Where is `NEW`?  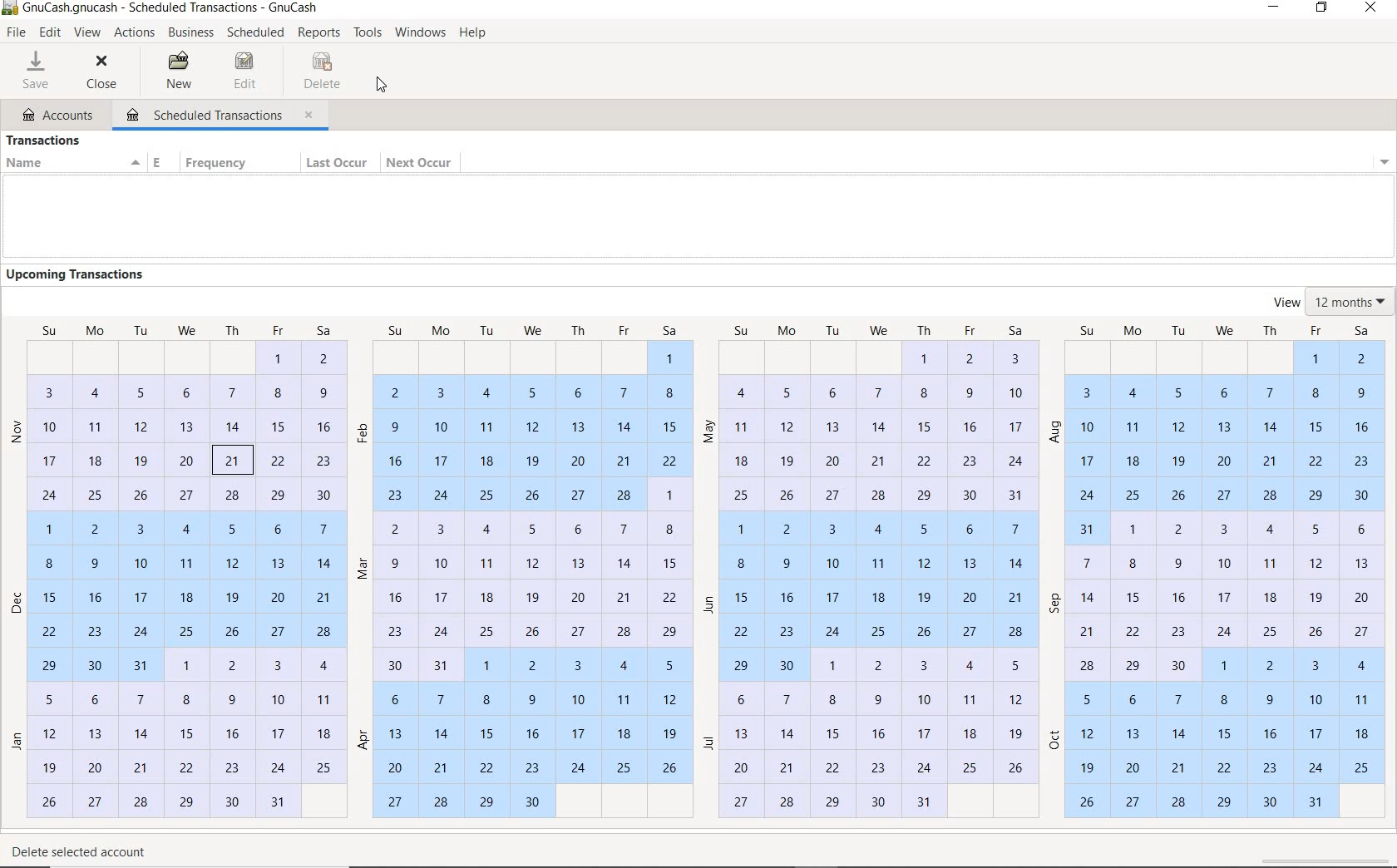
NEW is located at coordinates (182, 73).